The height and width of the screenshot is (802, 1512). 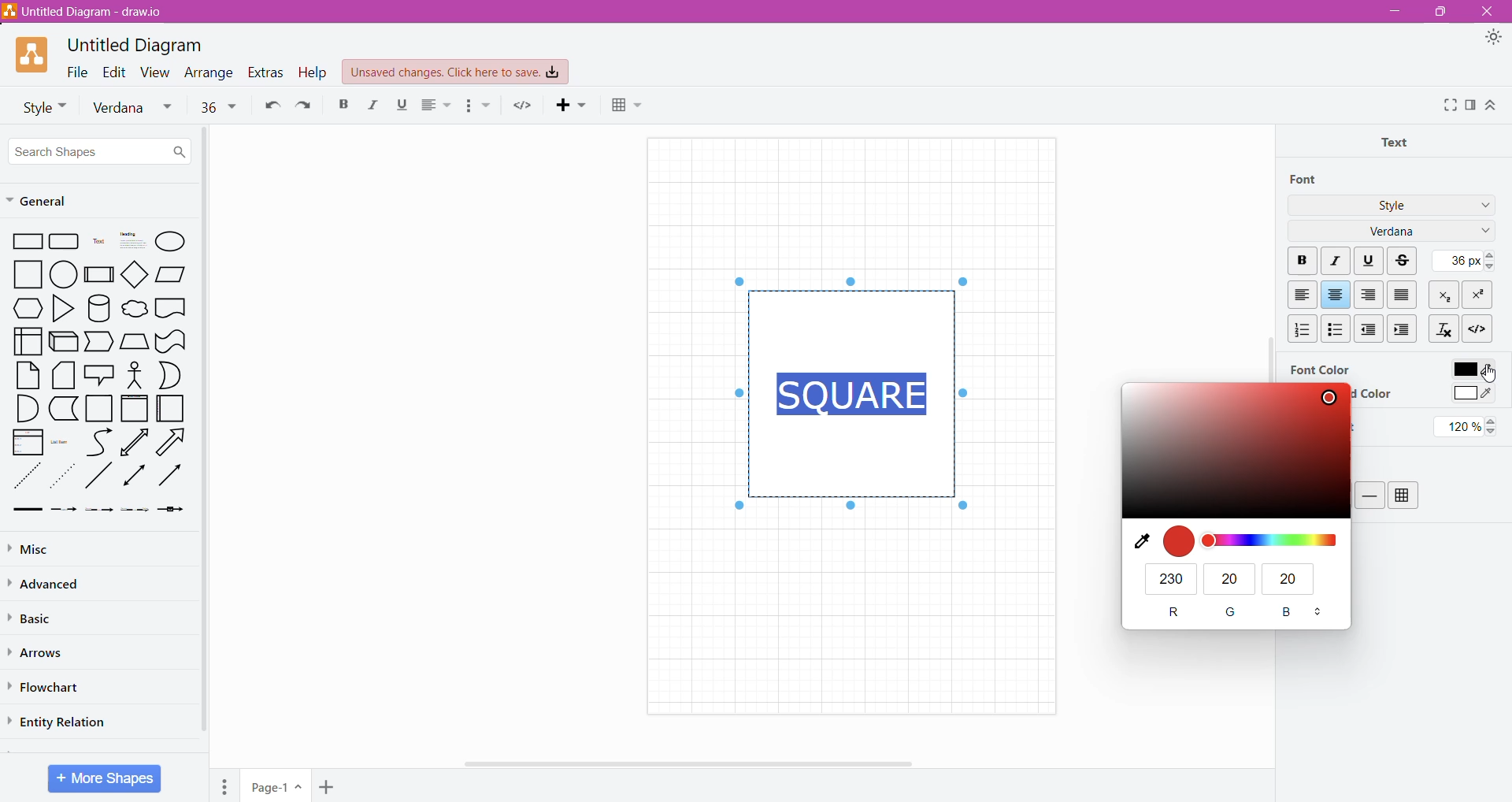 I want to click on Table, so click(x=633, y=106).